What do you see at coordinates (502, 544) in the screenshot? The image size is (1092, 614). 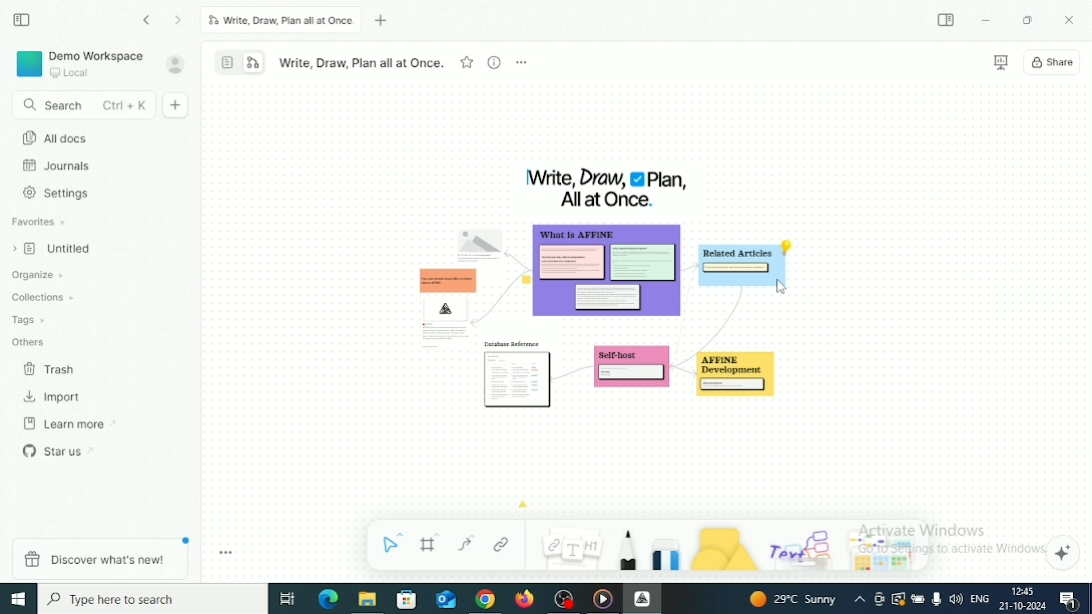 I see `Link` at bounding box center [502, 544].